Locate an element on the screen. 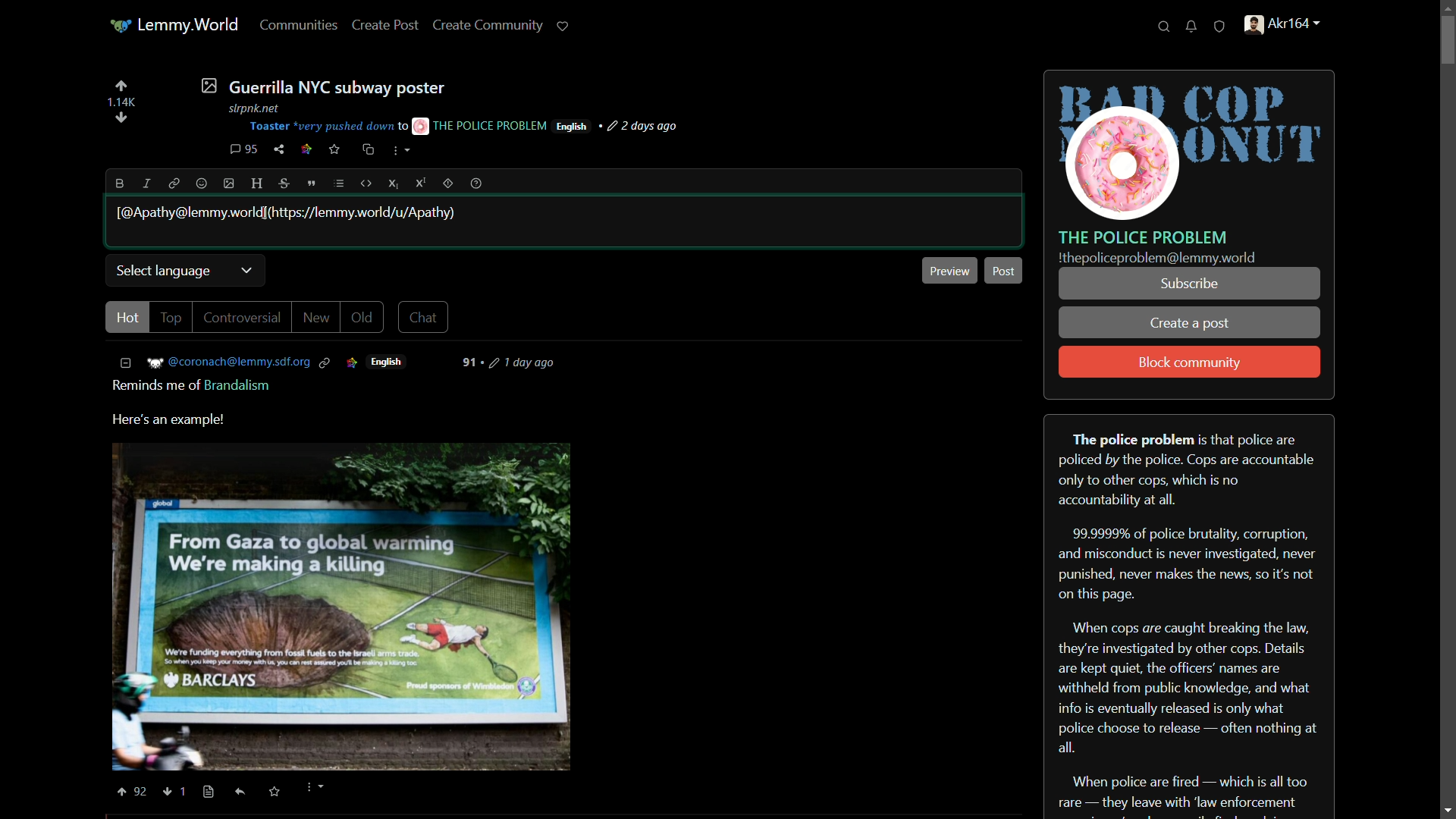  scroll bar is located at coordinates (1445, 408).